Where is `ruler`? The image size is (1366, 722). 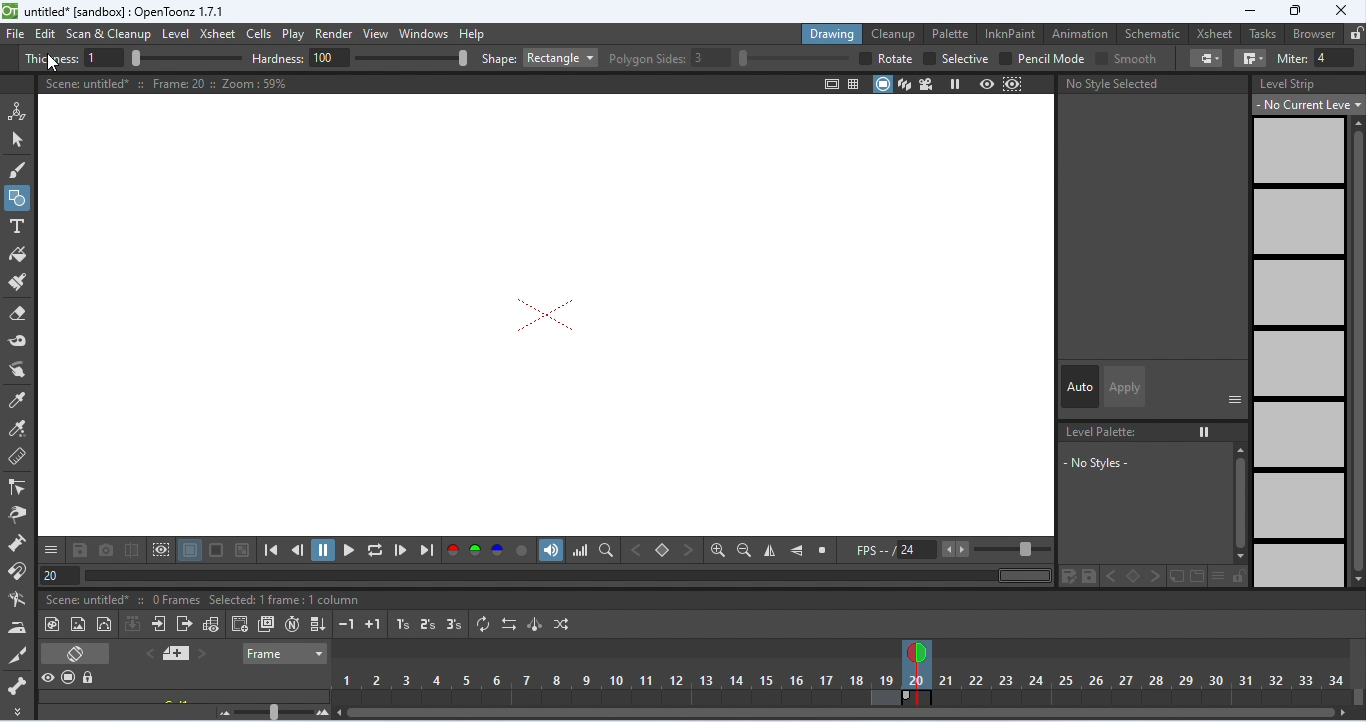 ruler is located at coordinates (18, 456).